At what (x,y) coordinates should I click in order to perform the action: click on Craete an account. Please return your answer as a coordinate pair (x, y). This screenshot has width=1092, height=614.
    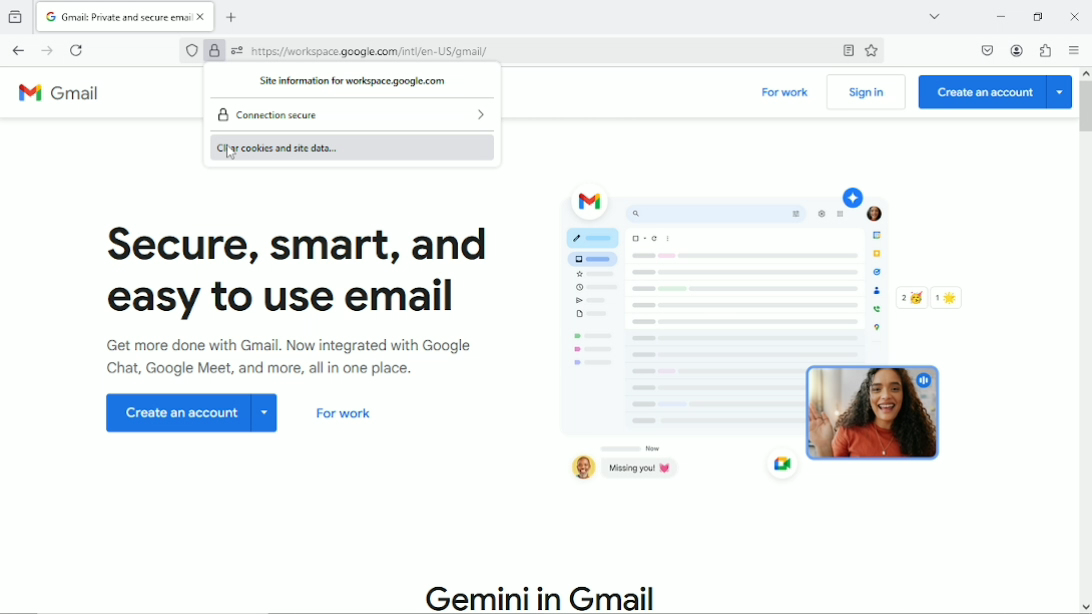
    Looking at the image, I should click on (193, 415).